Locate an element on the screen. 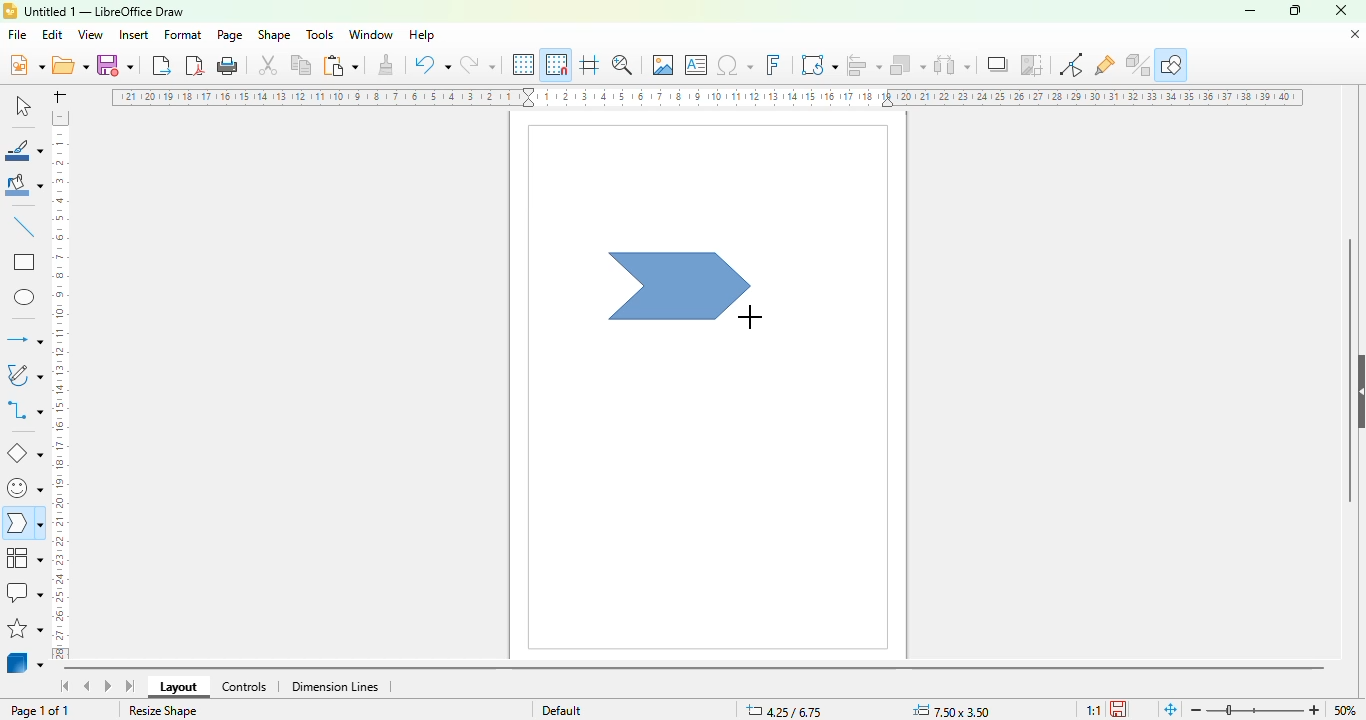  close document is located at coordinates (1355, 35).